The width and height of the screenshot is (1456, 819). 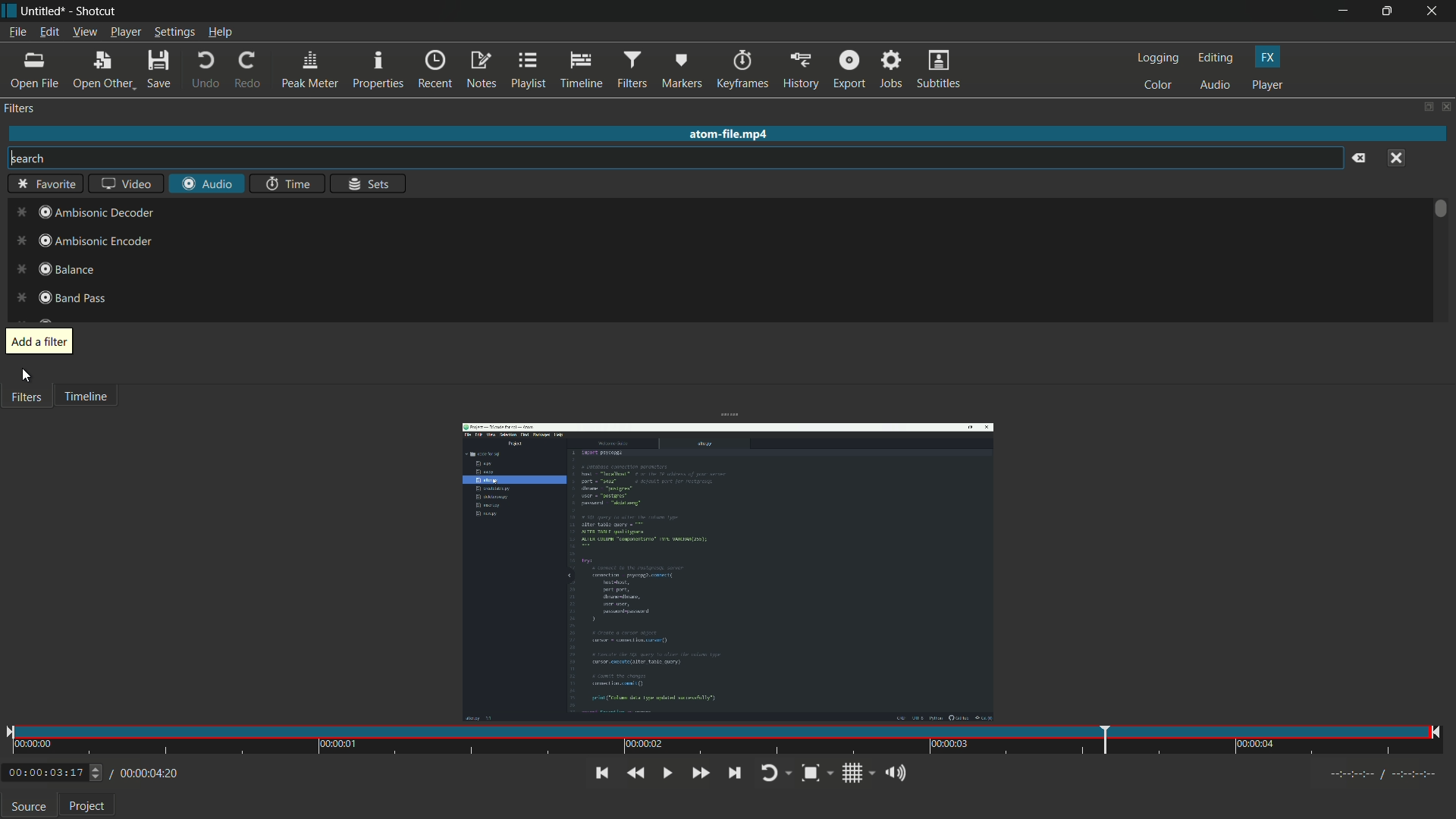 What do you see at coordinates (893, 68) in the screenshot?
I see `jobs` at bounding box center [893, 68].